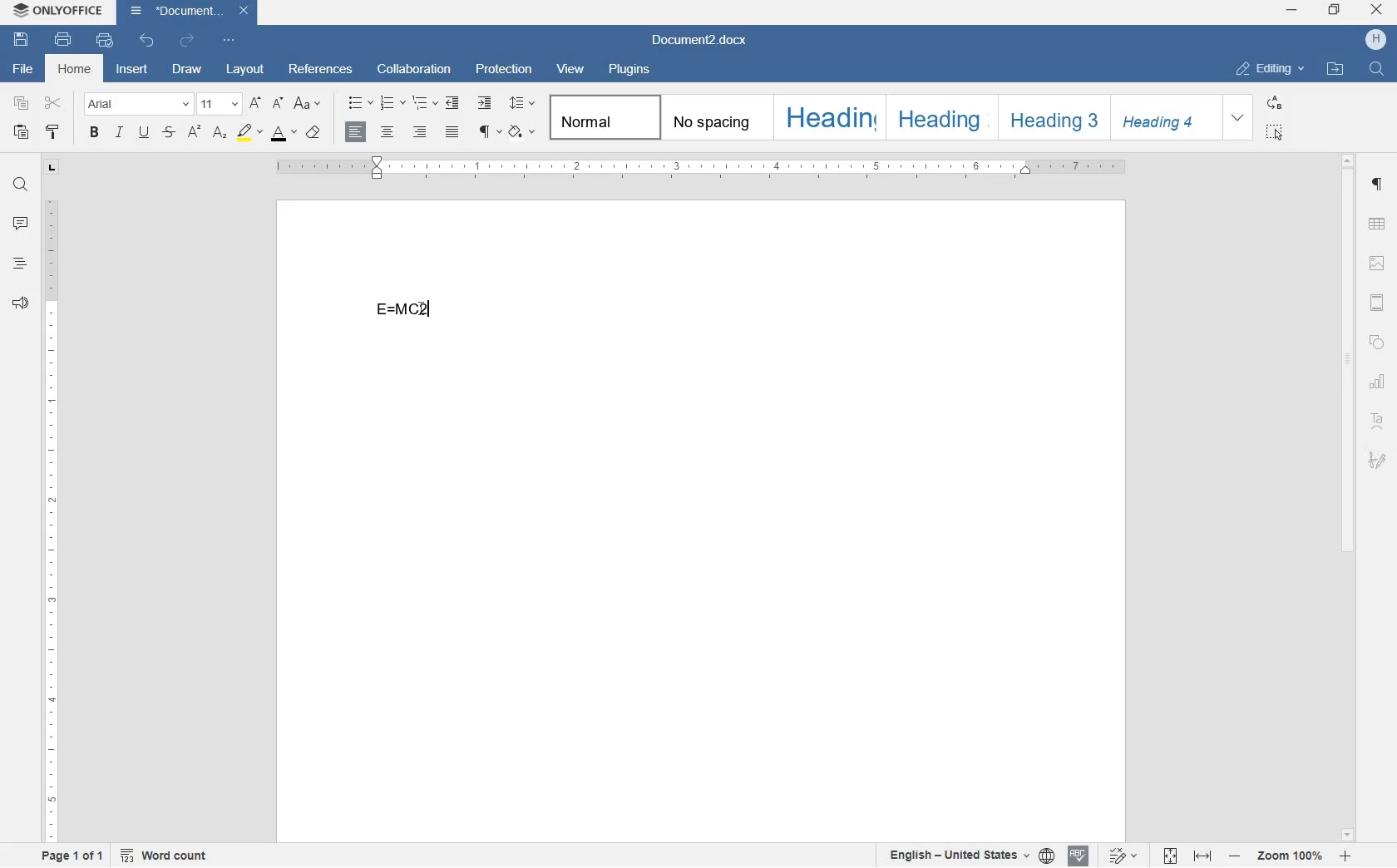 Image resolution: width=1397 pixels, height=868 pixels. What do you see at coordinates (170, 133) in the screenshot?
I see `strikethrough` at bounding box center [170, 133].